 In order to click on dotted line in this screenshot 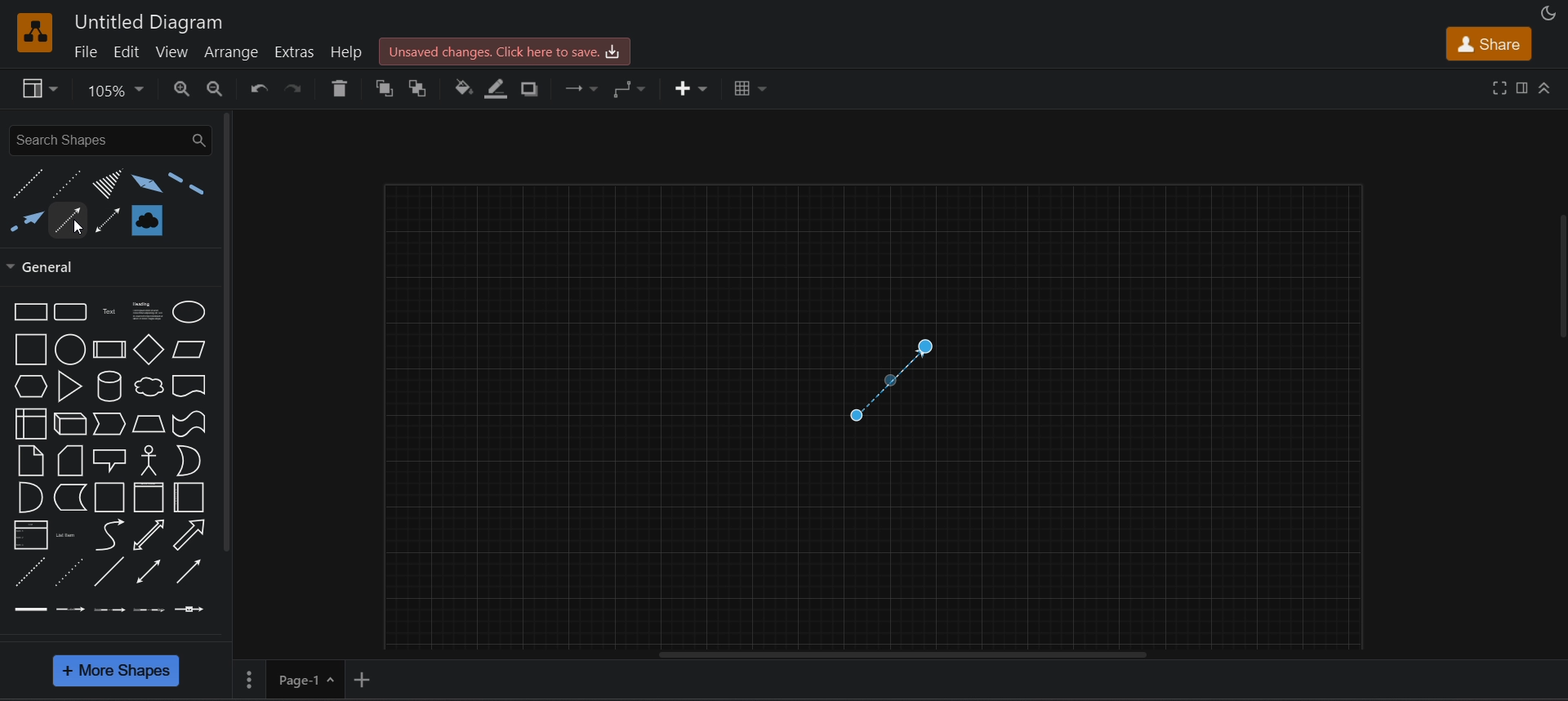, I will do `click(65, 183)`.